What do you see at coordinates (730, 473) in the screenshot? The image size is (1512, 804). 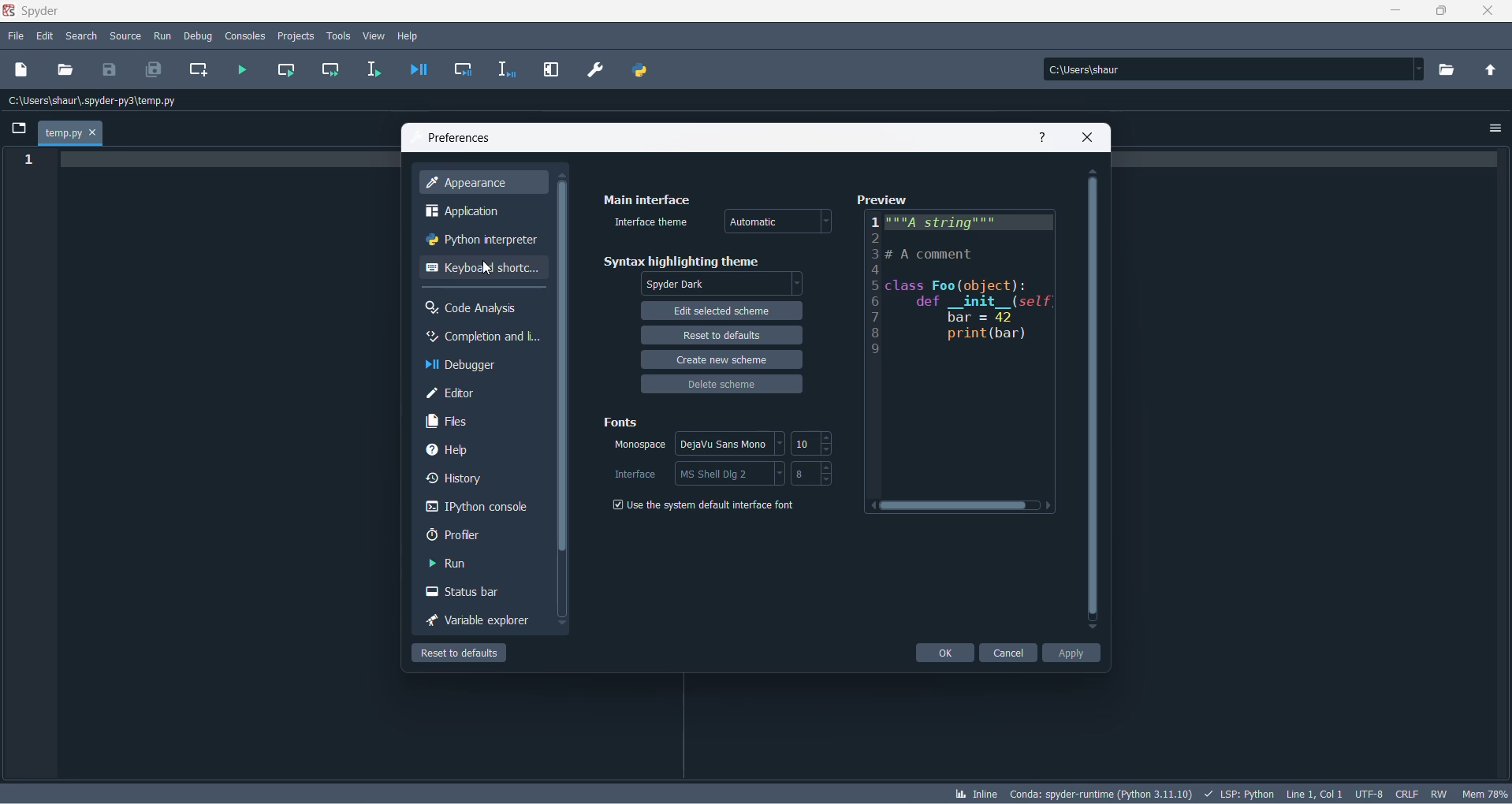 I see `interface options` at bounding box center [730, 473].